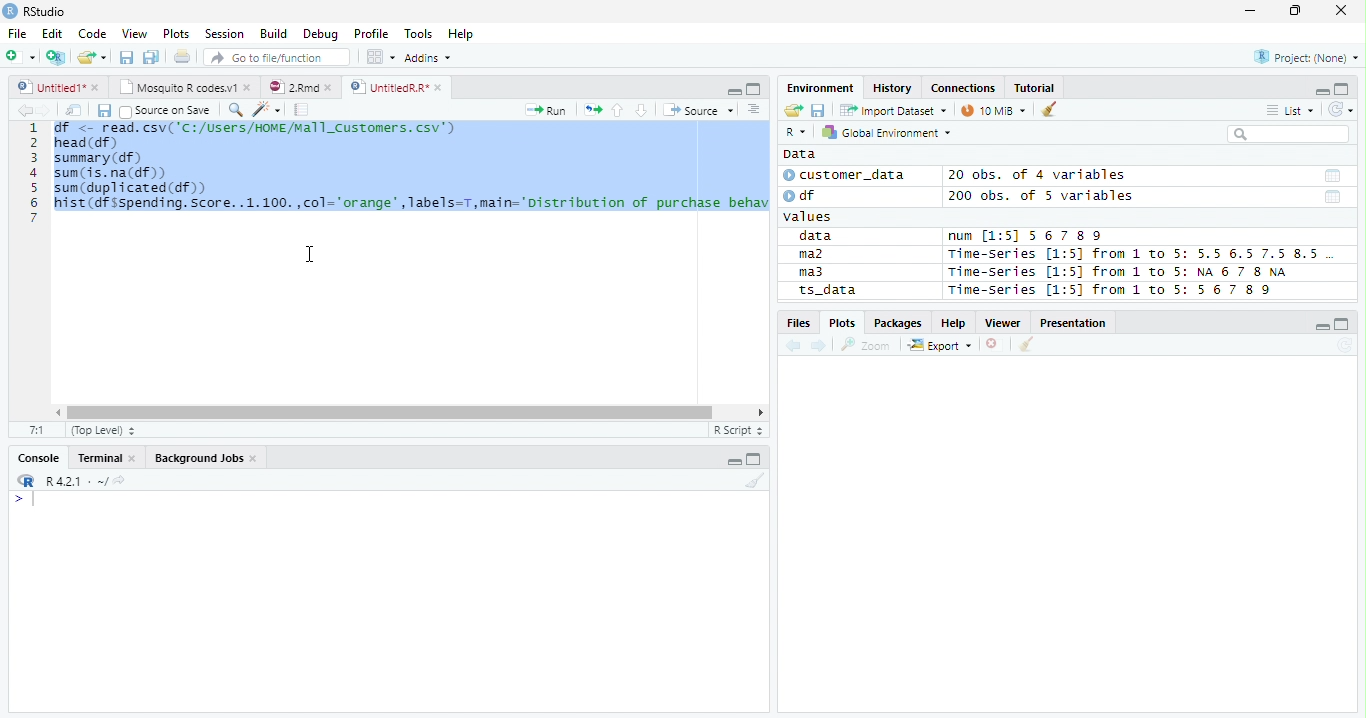 This screenshot has height=718, width=1366. I want to click on Show document outline, so click(752, 109).